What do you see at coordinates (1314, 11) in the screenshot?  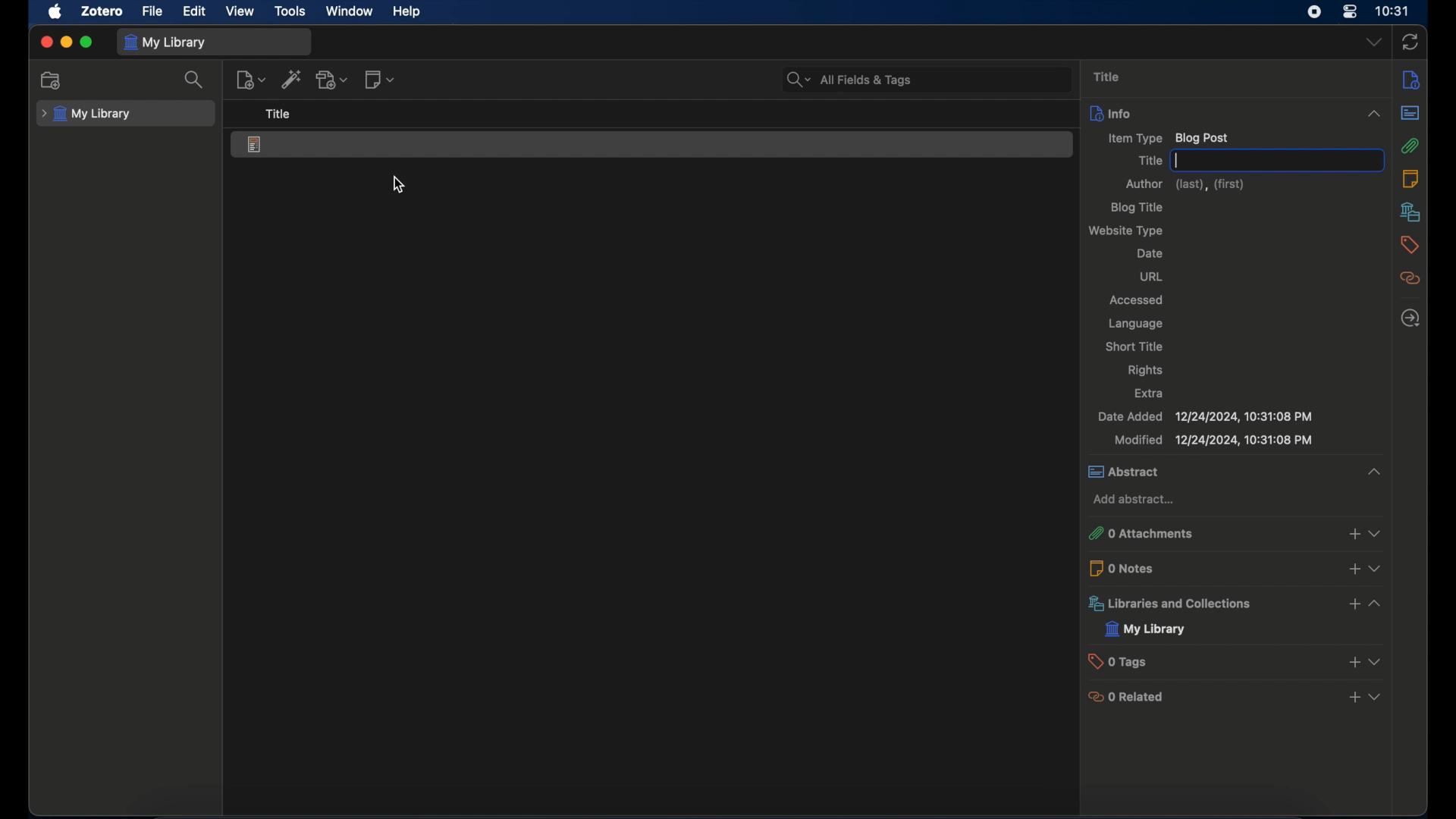 I see `screen recorder` at bounding box center [1314, 11].